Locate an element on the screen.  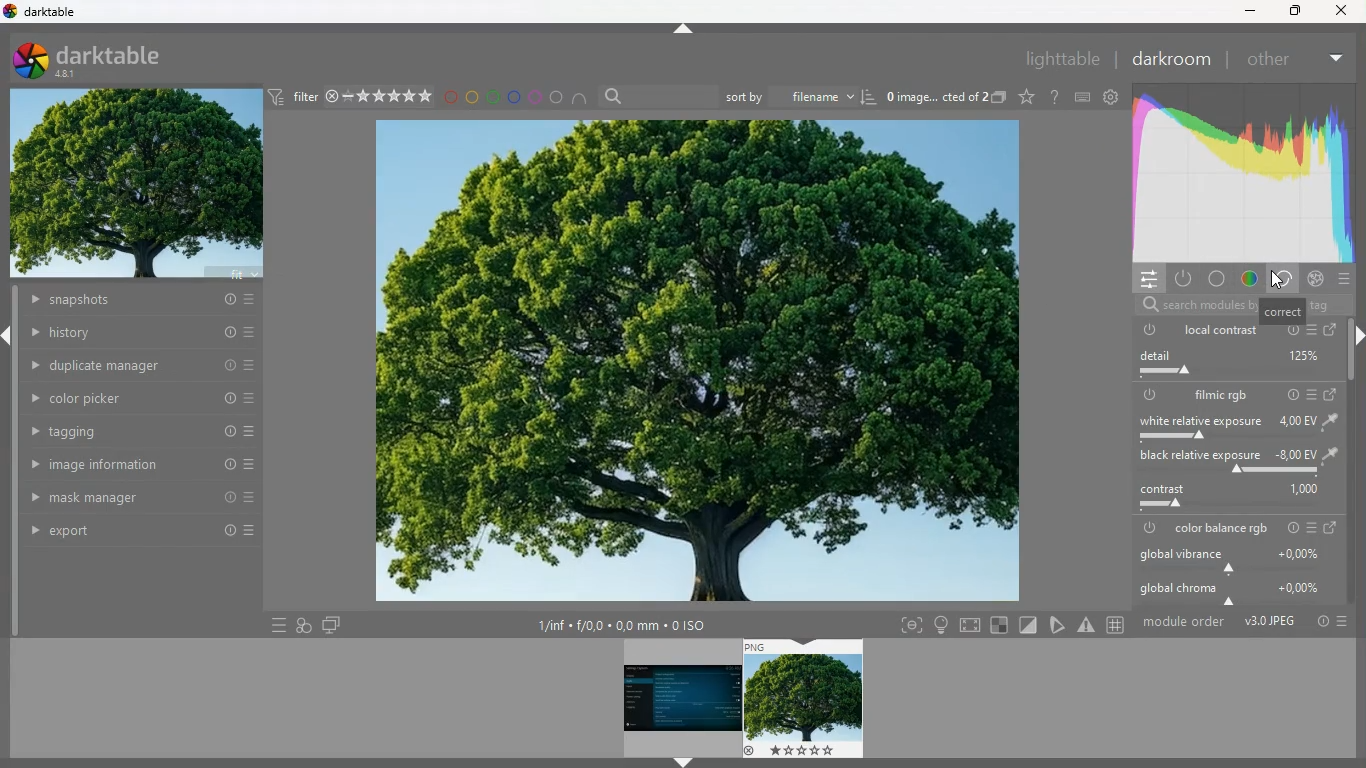
contrast is located at coordinates (1230, 498).